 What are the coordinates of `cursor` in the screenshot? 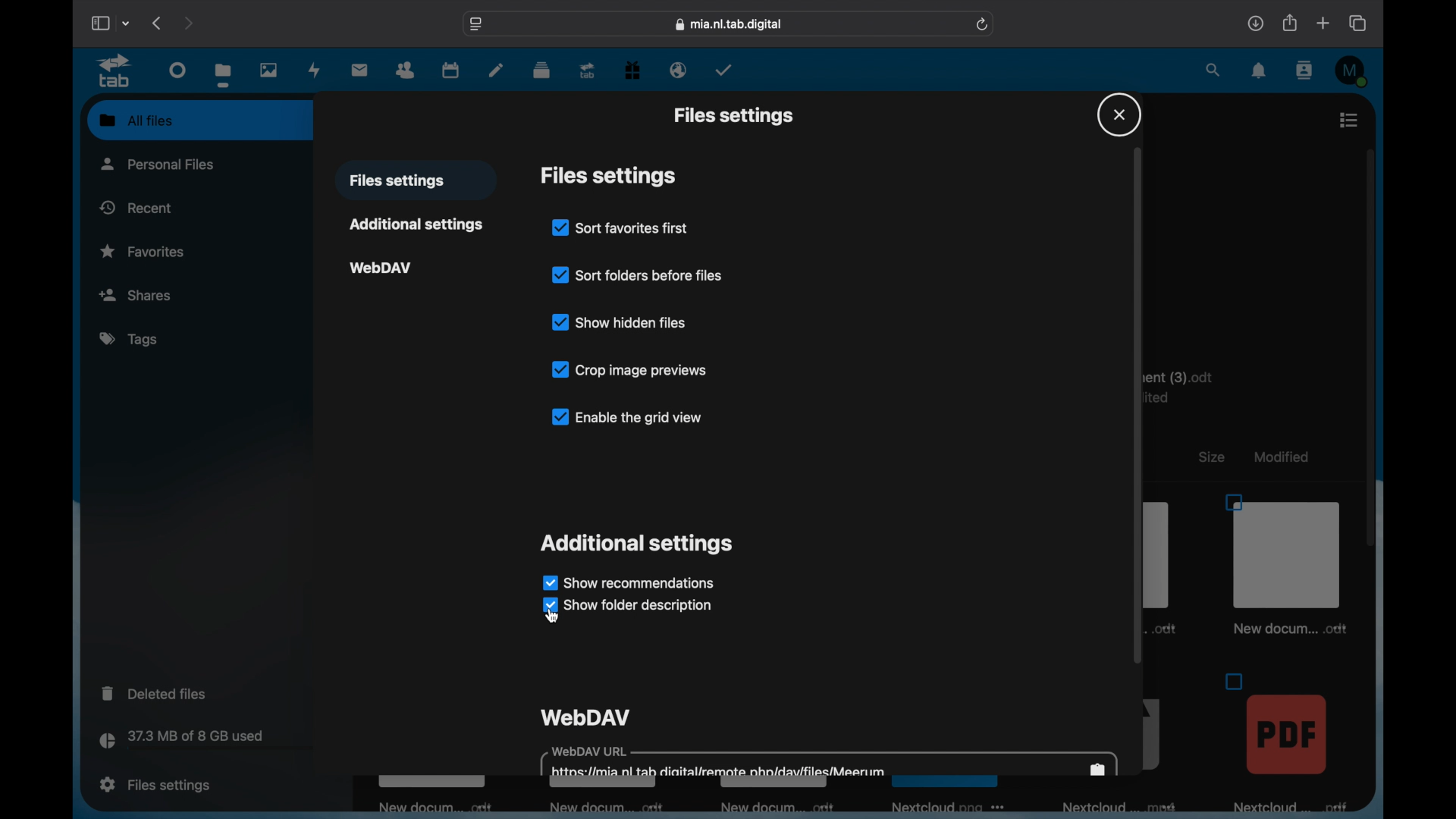 It's located at (557, 618).